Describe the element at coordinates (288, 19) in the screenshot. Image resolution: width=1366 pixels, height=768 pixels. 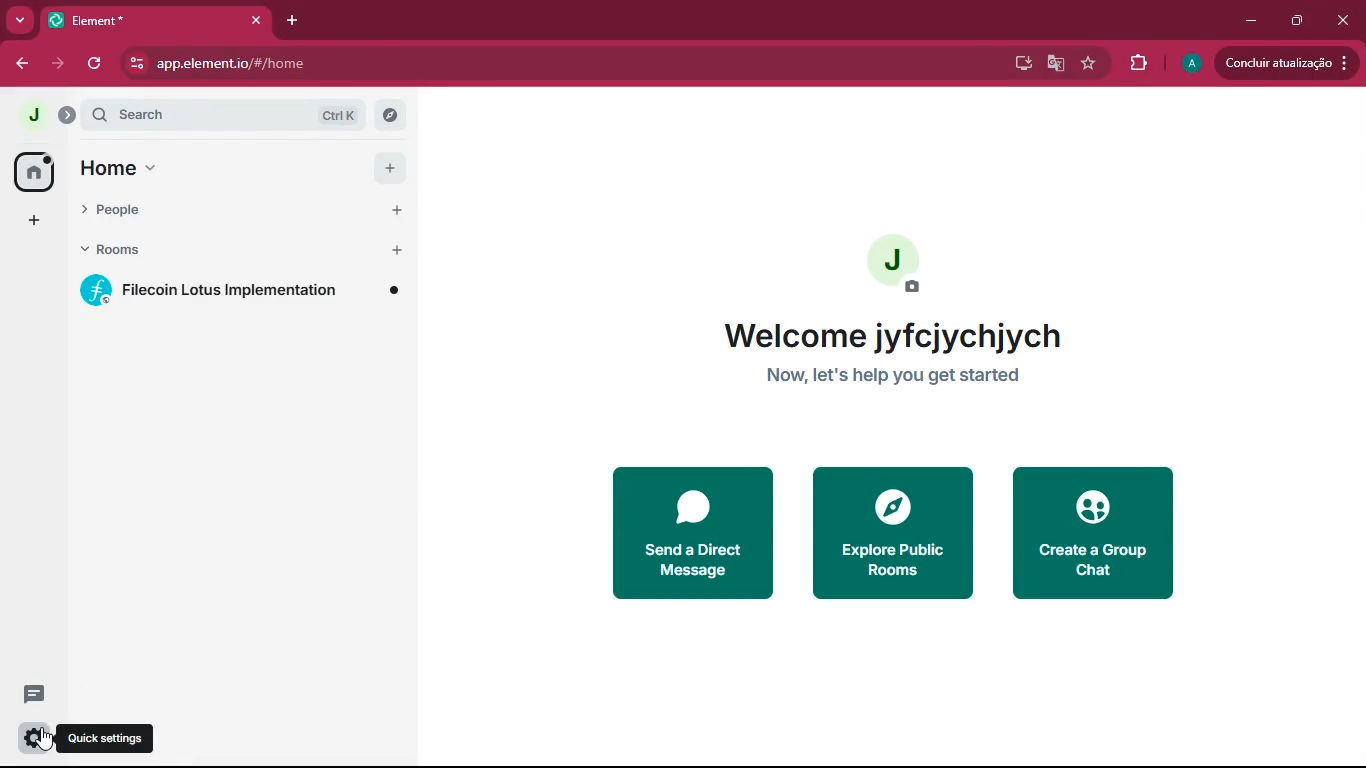
I see `add tab` at that location.